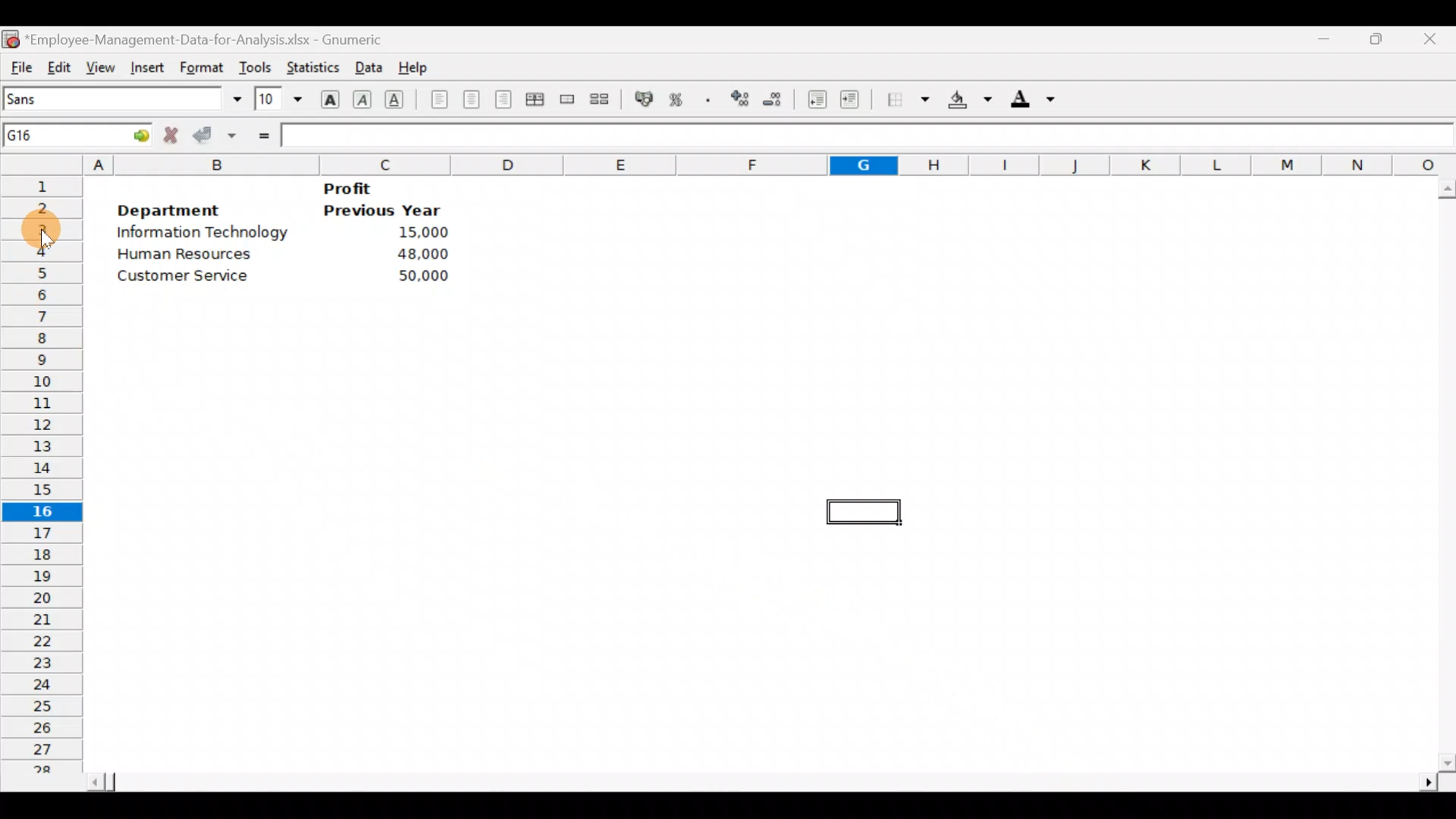  What do you see at coordinates (538, 102) in the screenshot?
I see `Centre horizontally across the selection` at bounding box center [538, 102].